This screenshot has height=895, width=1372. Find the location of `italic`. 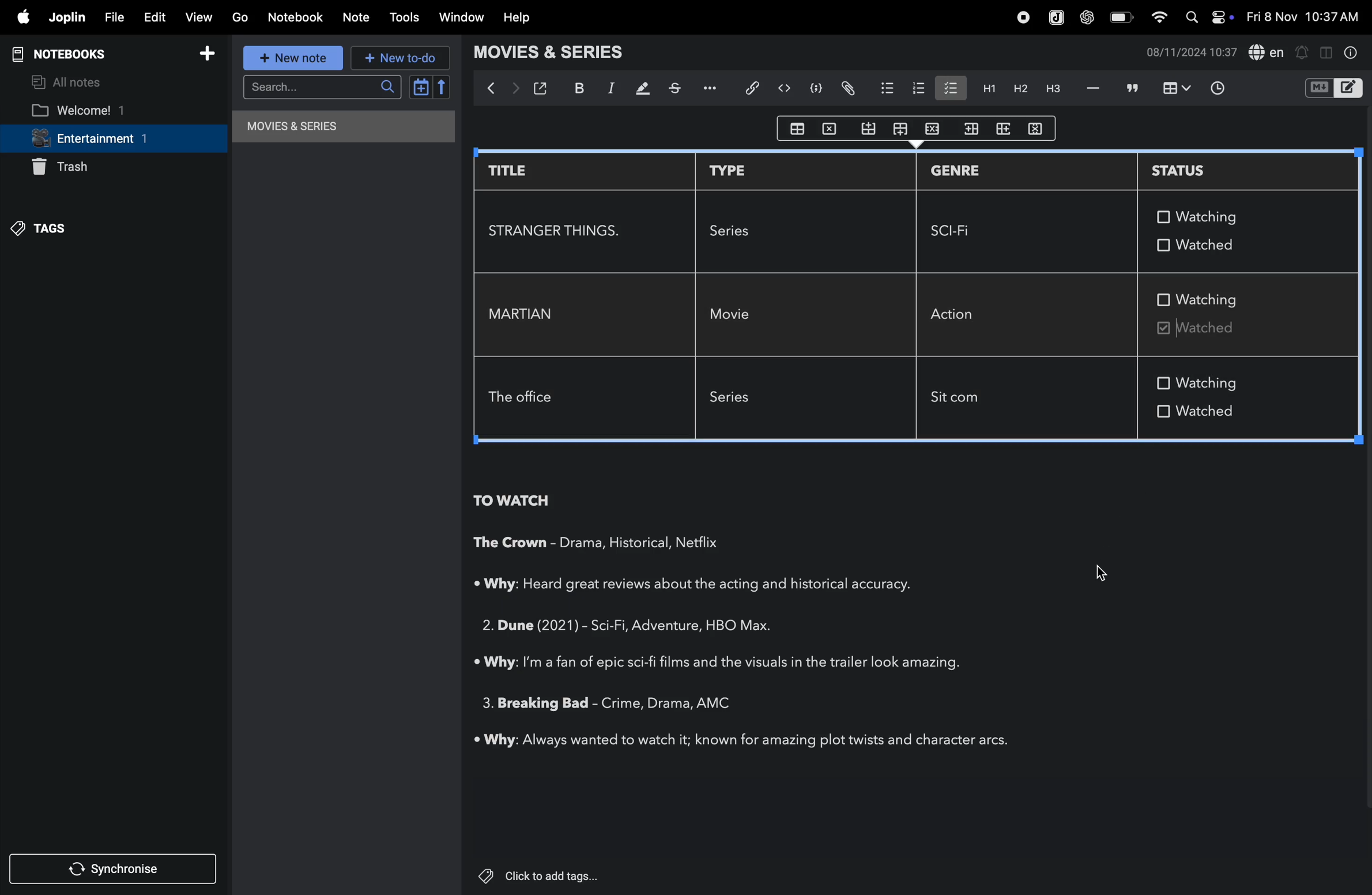

italic is located at coordinates (613, 90).